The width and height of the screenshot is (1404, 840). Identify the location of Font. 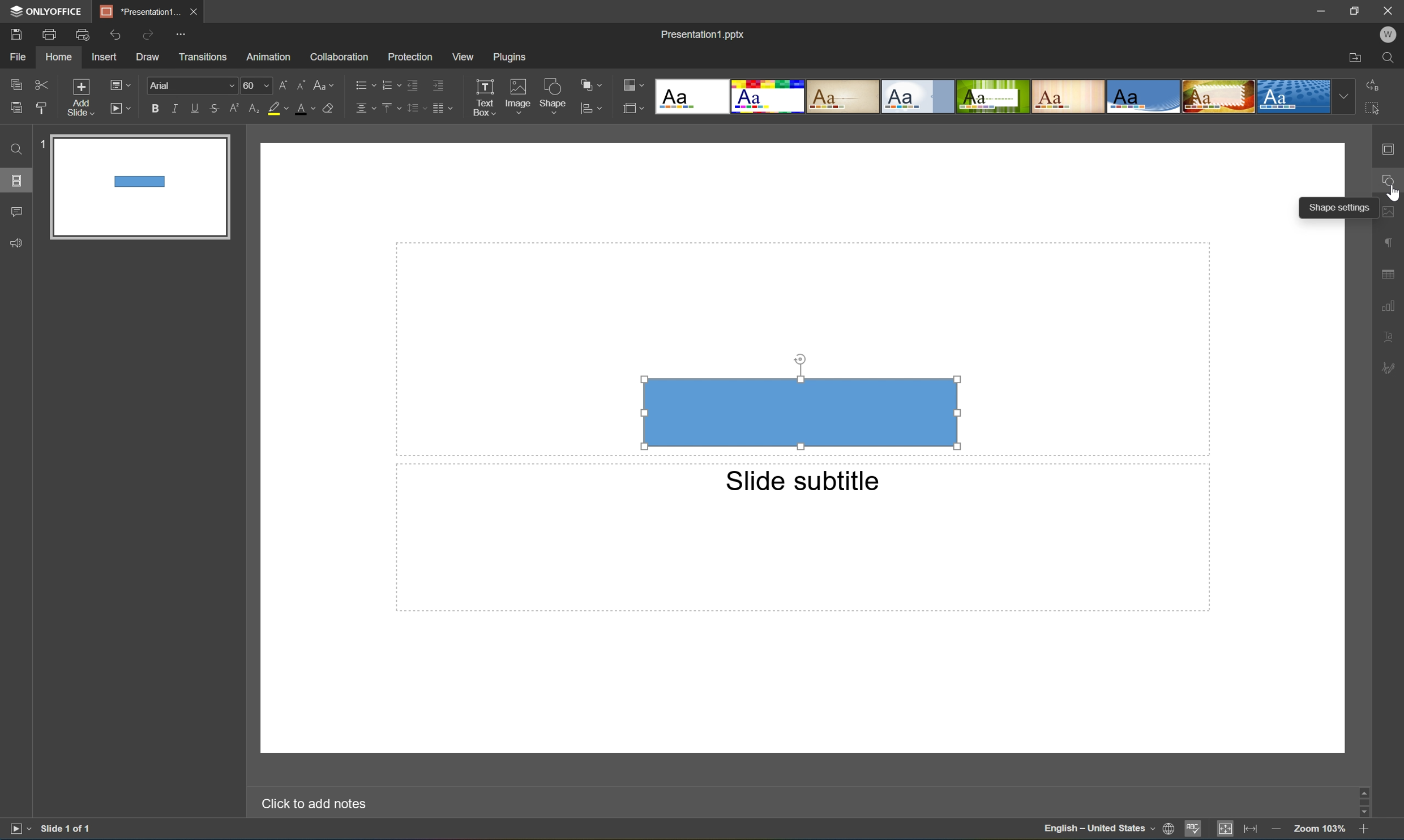
(191, 85).